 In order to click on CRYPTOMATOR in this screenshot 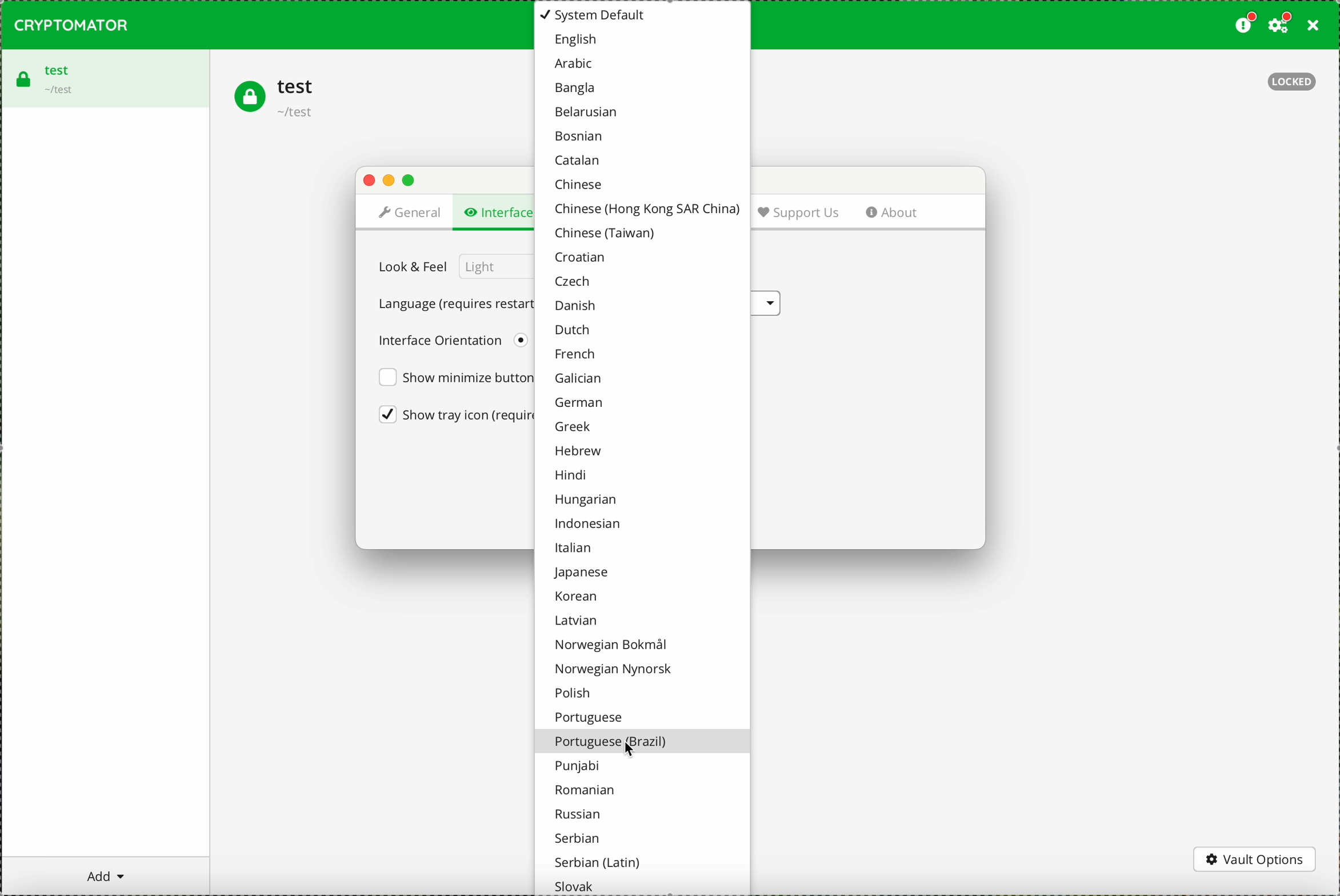, I will do `click(71, 25)`.